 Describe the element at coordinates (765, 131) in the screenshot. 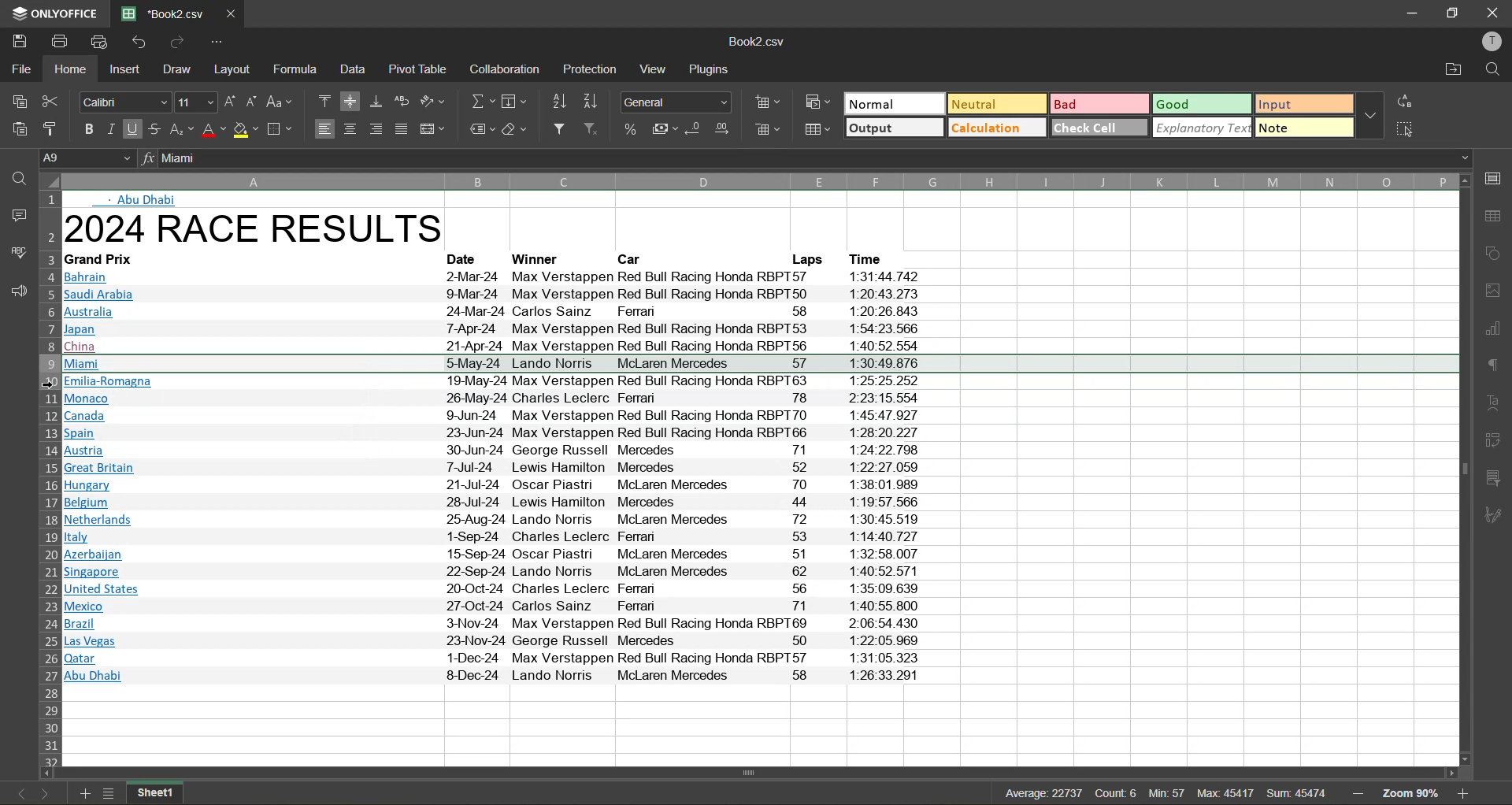

I see `delete cells` at that location.